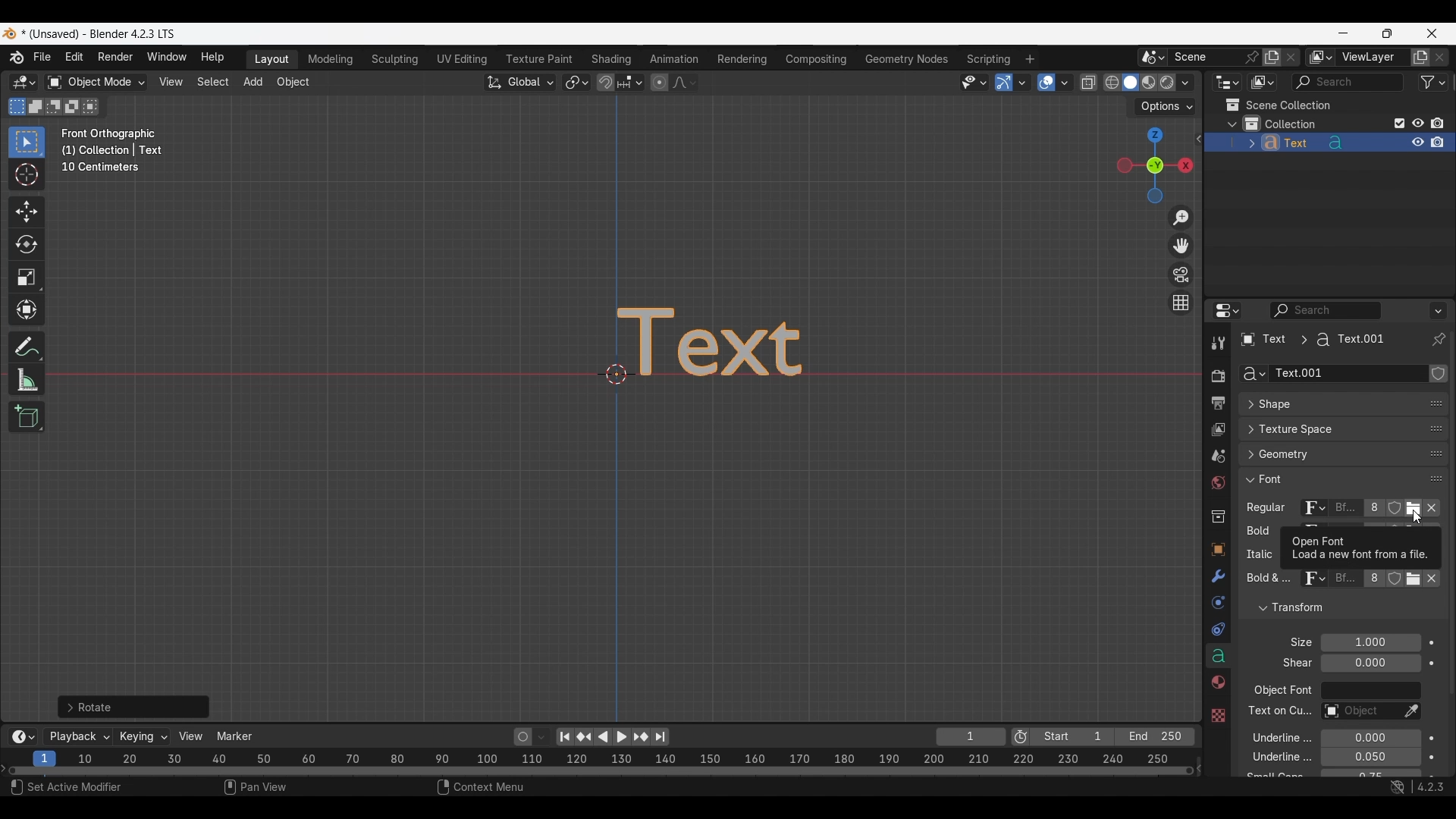  Describe the element at coordinates (1112, 737) in the screenshot. I see `Final frame of the playback rendering range` at that location.